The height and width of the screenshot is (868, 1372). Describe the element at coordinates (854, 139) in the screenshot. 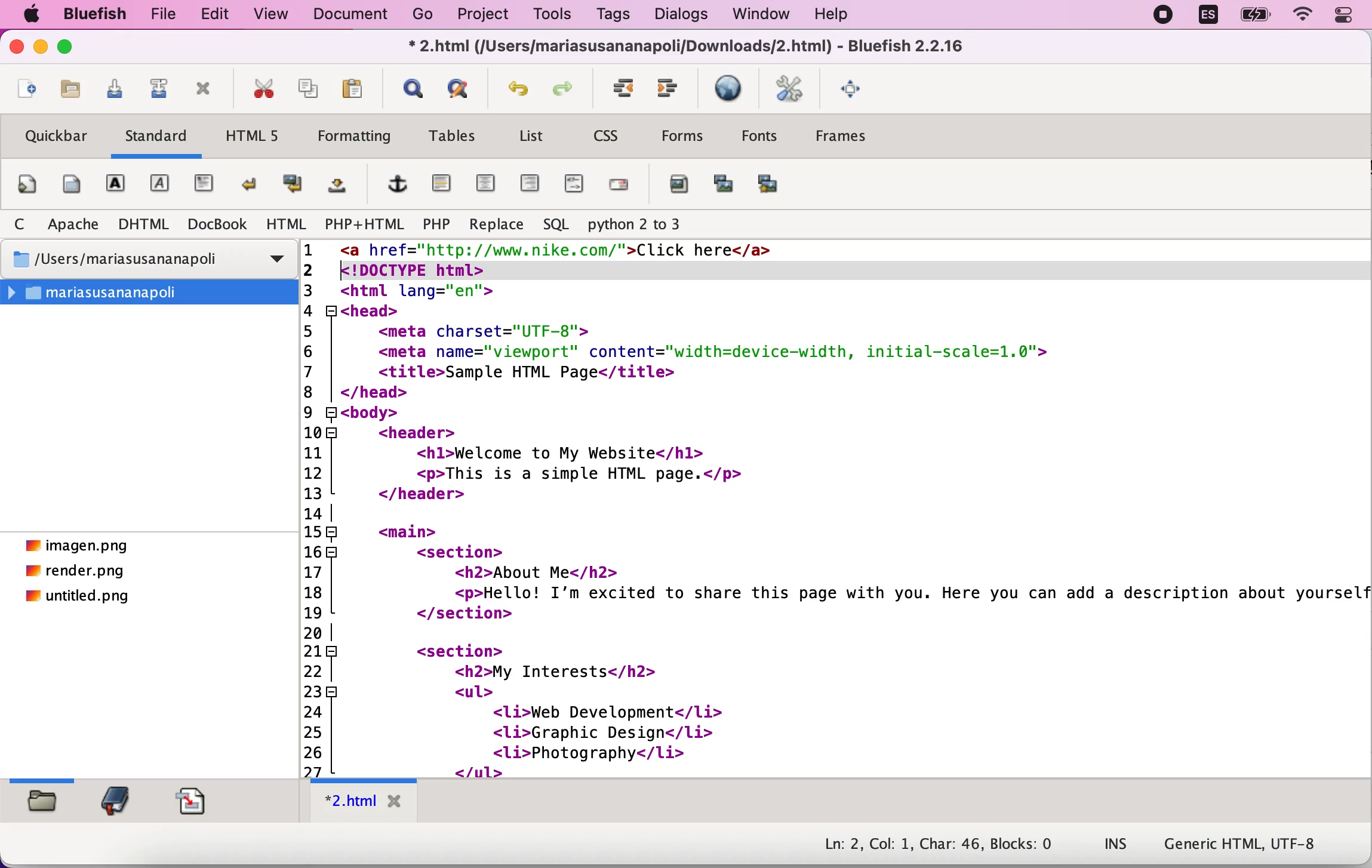

I see `frames` at that location.